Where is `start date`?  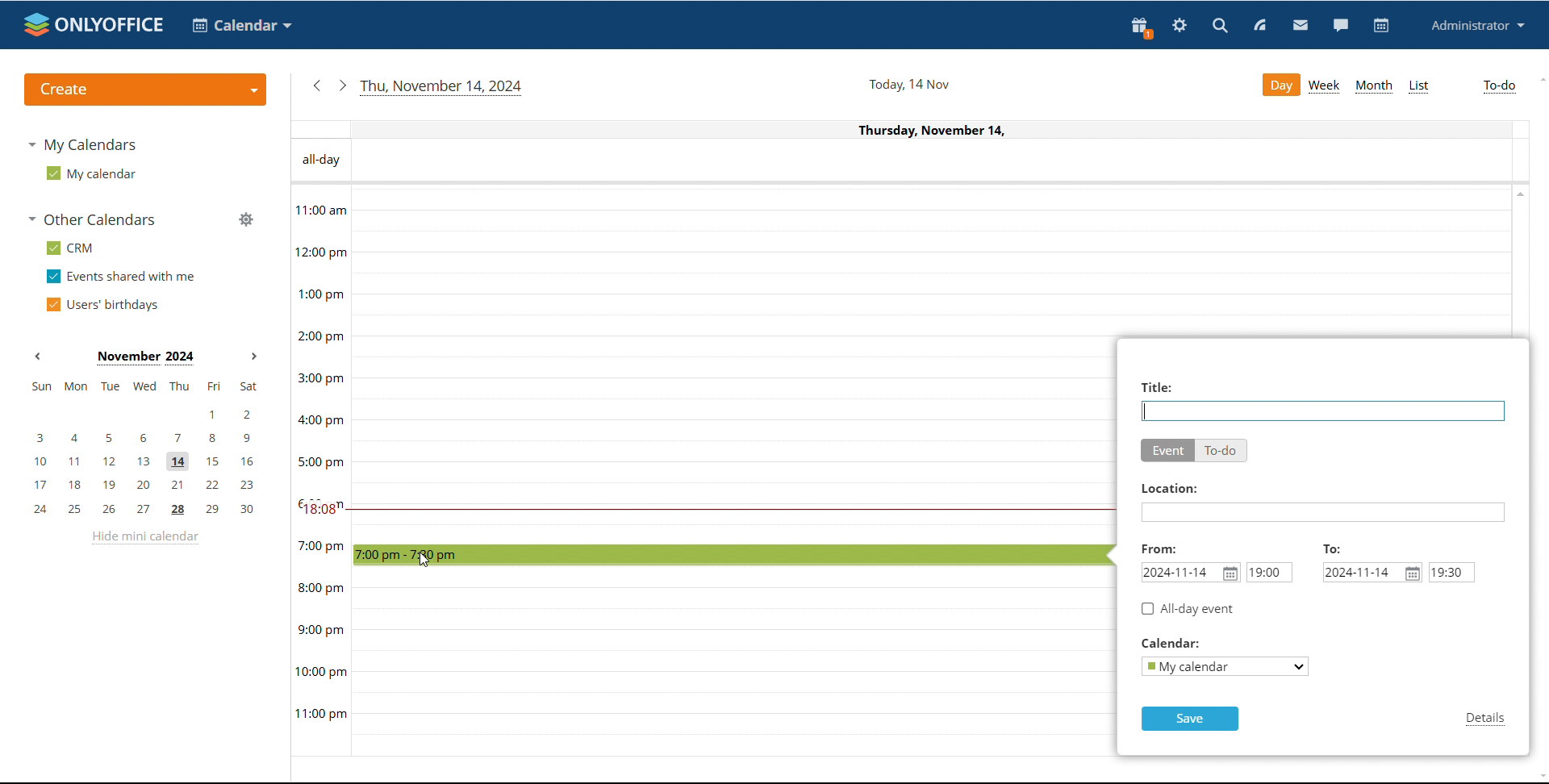
start date is located at coordinates (1190, 573).